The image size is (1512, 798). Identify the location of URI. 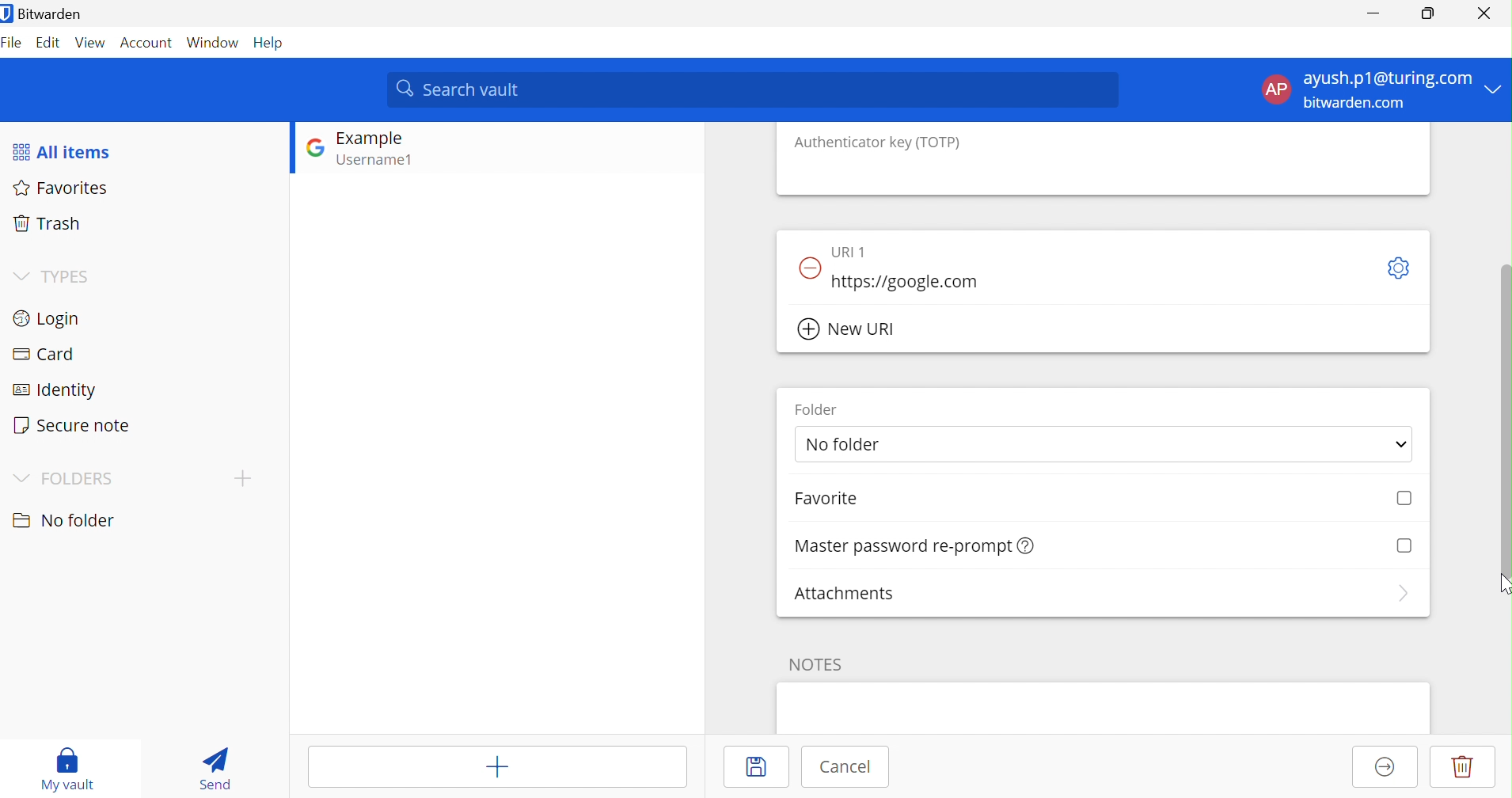
(852, 249).